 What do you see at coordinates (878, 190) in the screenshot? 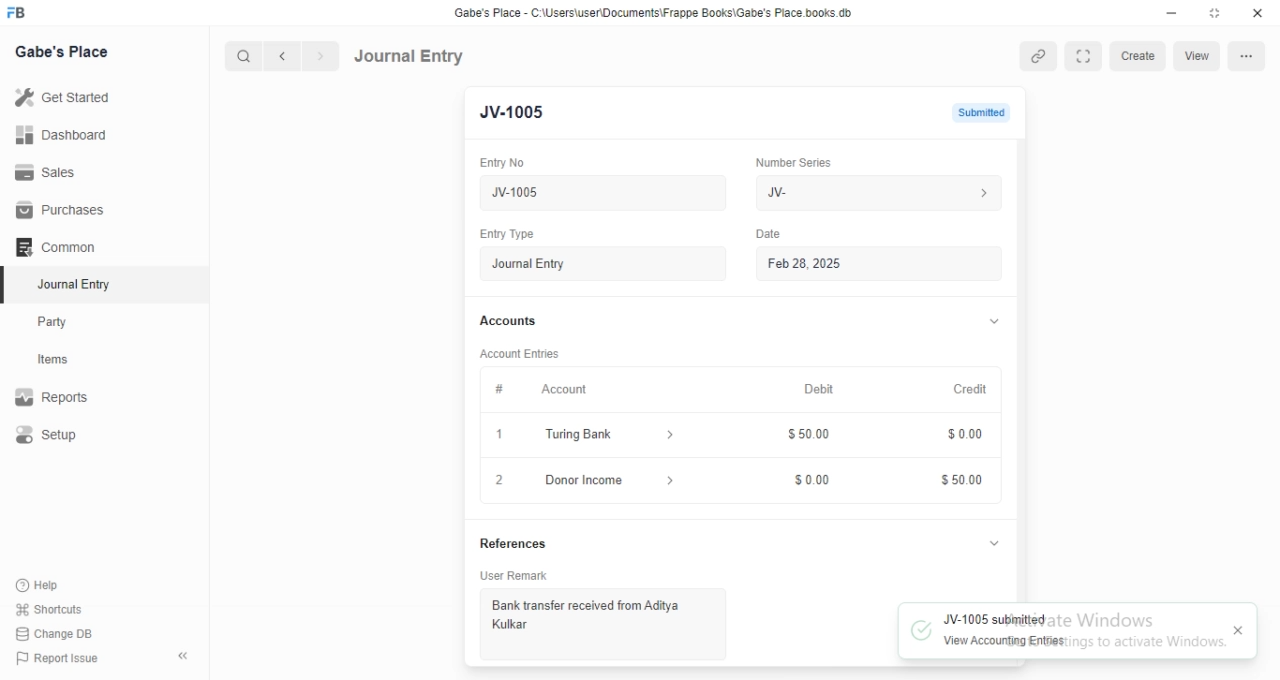
I see `JV-` at bounding box center [878, 190].